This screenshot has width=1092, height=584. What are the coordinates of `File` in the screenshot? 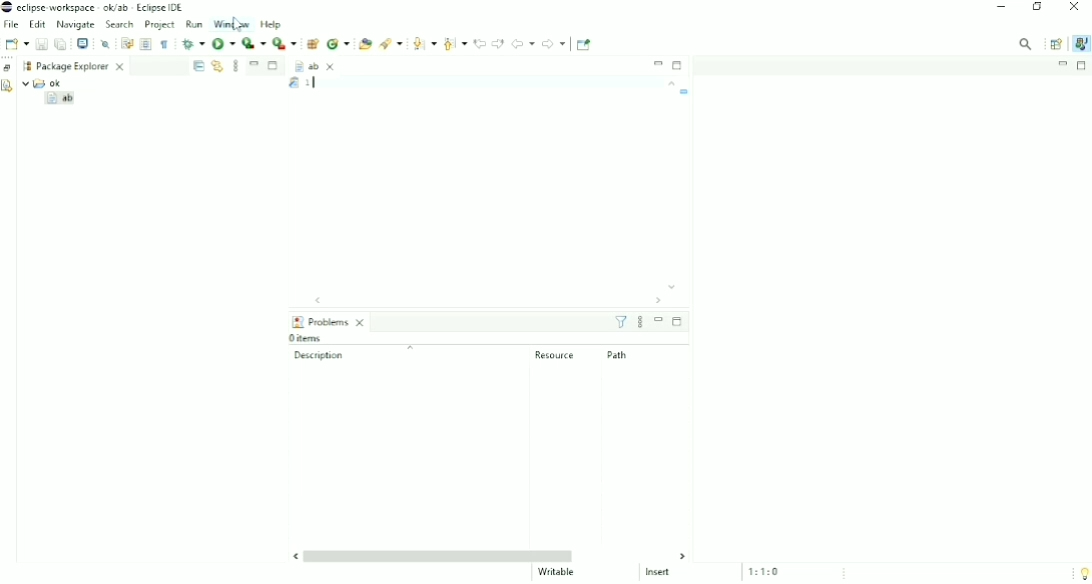 It's located at (12, 25).